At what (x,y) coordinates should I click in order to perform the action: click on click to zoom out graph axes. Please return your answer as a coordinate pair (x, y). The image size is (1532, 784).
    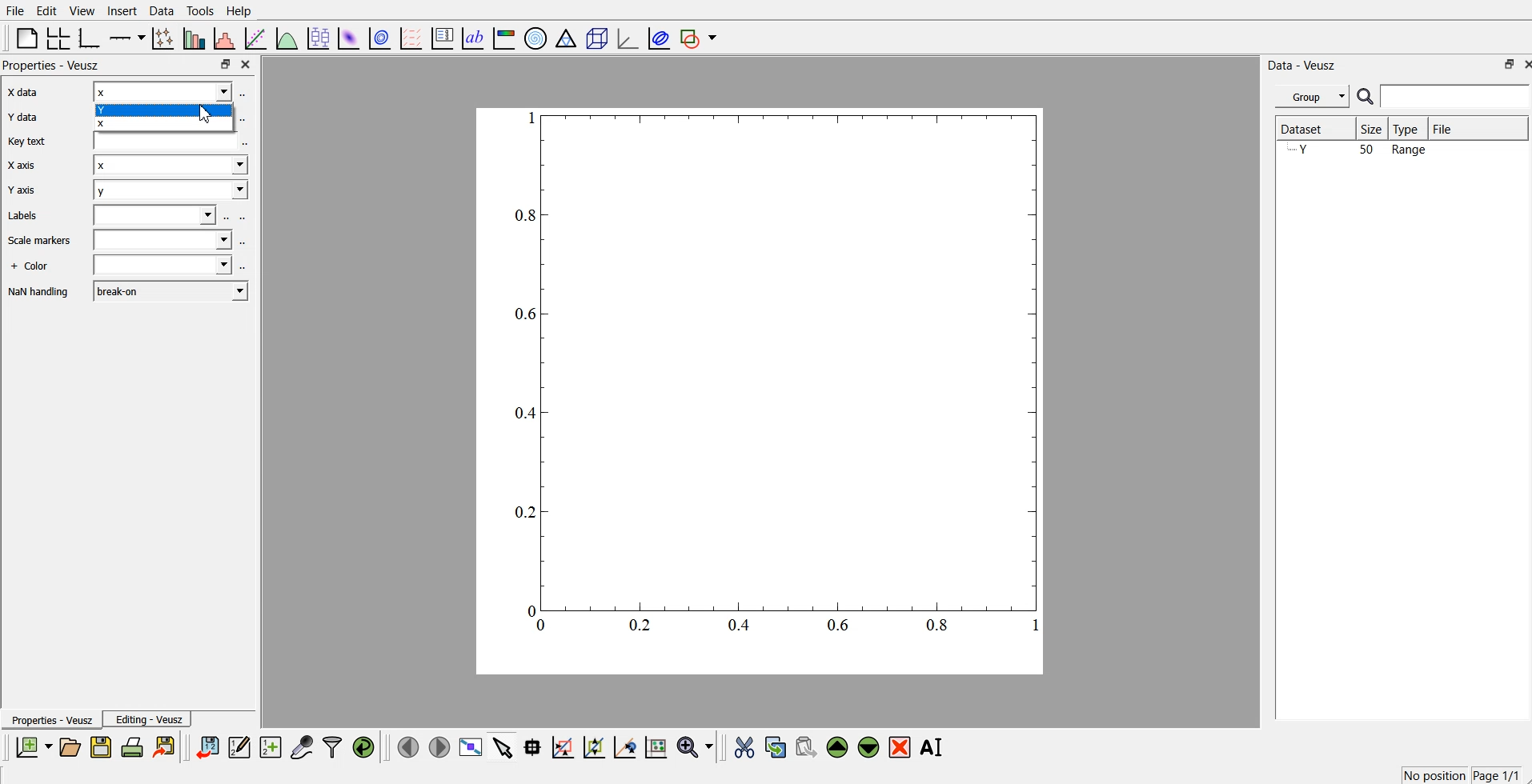
    Looking at the image, I should click on (595, 748).